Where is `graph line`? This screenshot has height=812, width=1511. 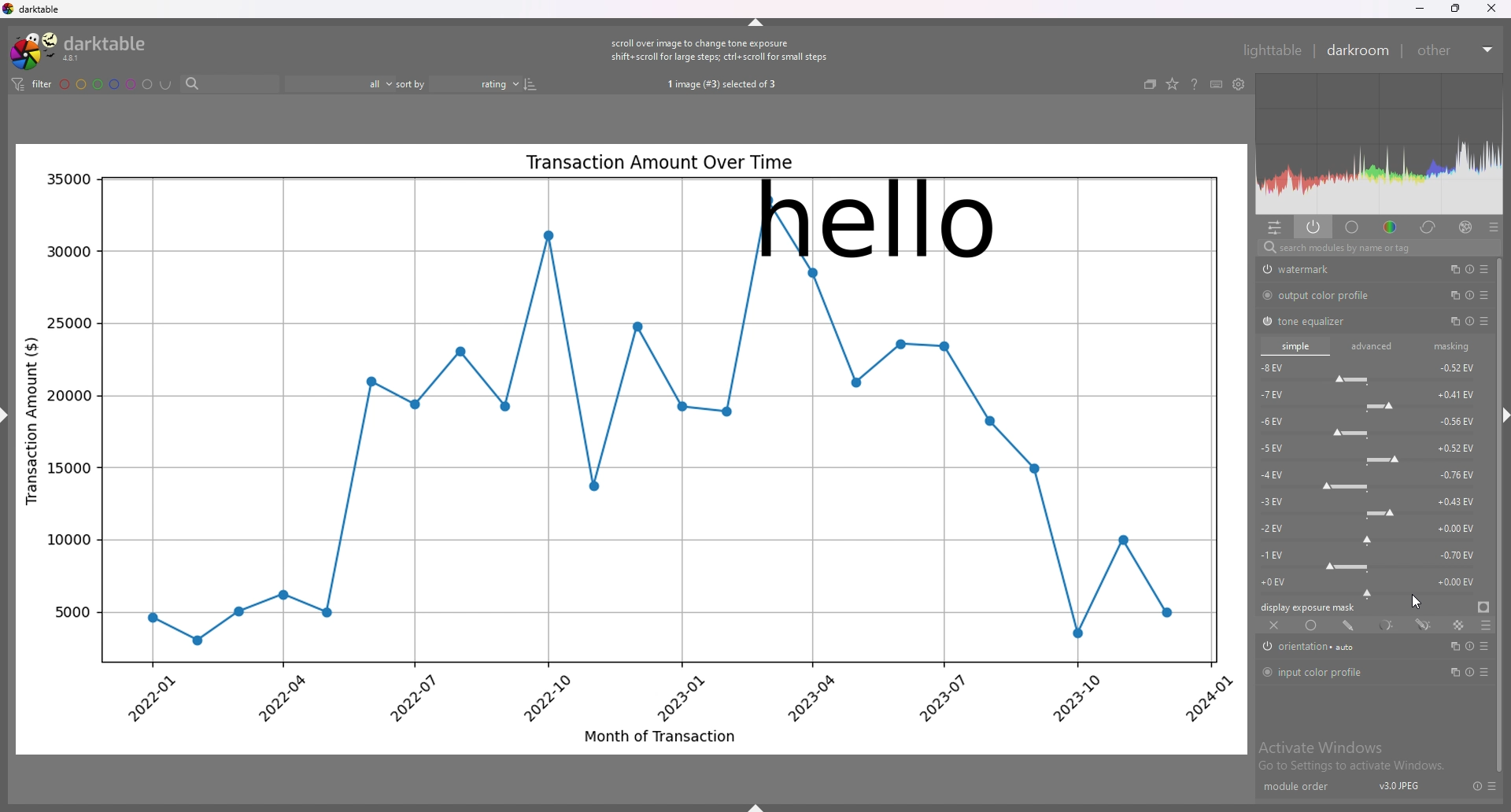 graph line is located at coordinates (664, 463).